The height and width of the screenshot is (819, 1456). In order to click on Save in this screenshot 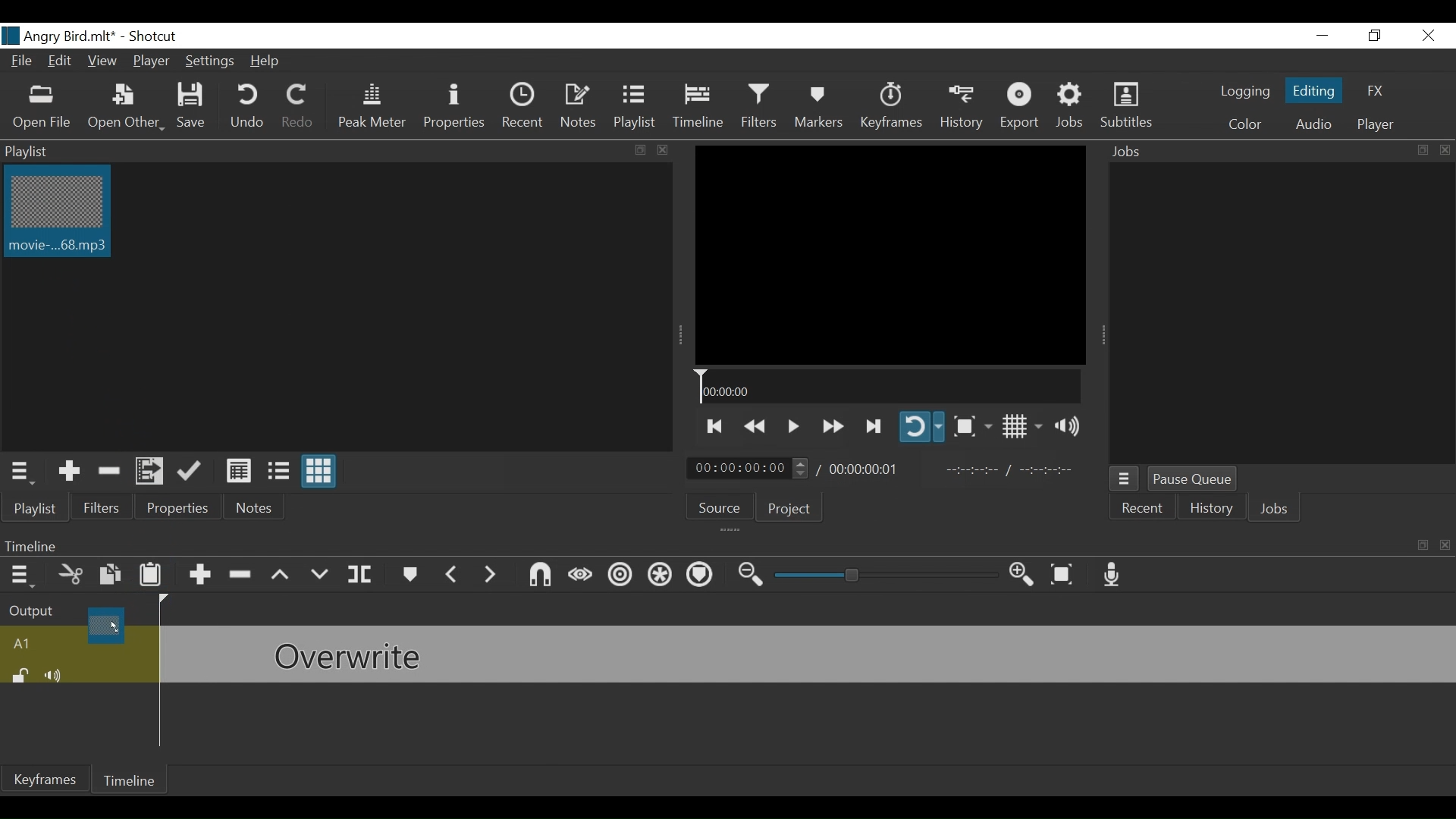, I will do `click(194, 108)`.